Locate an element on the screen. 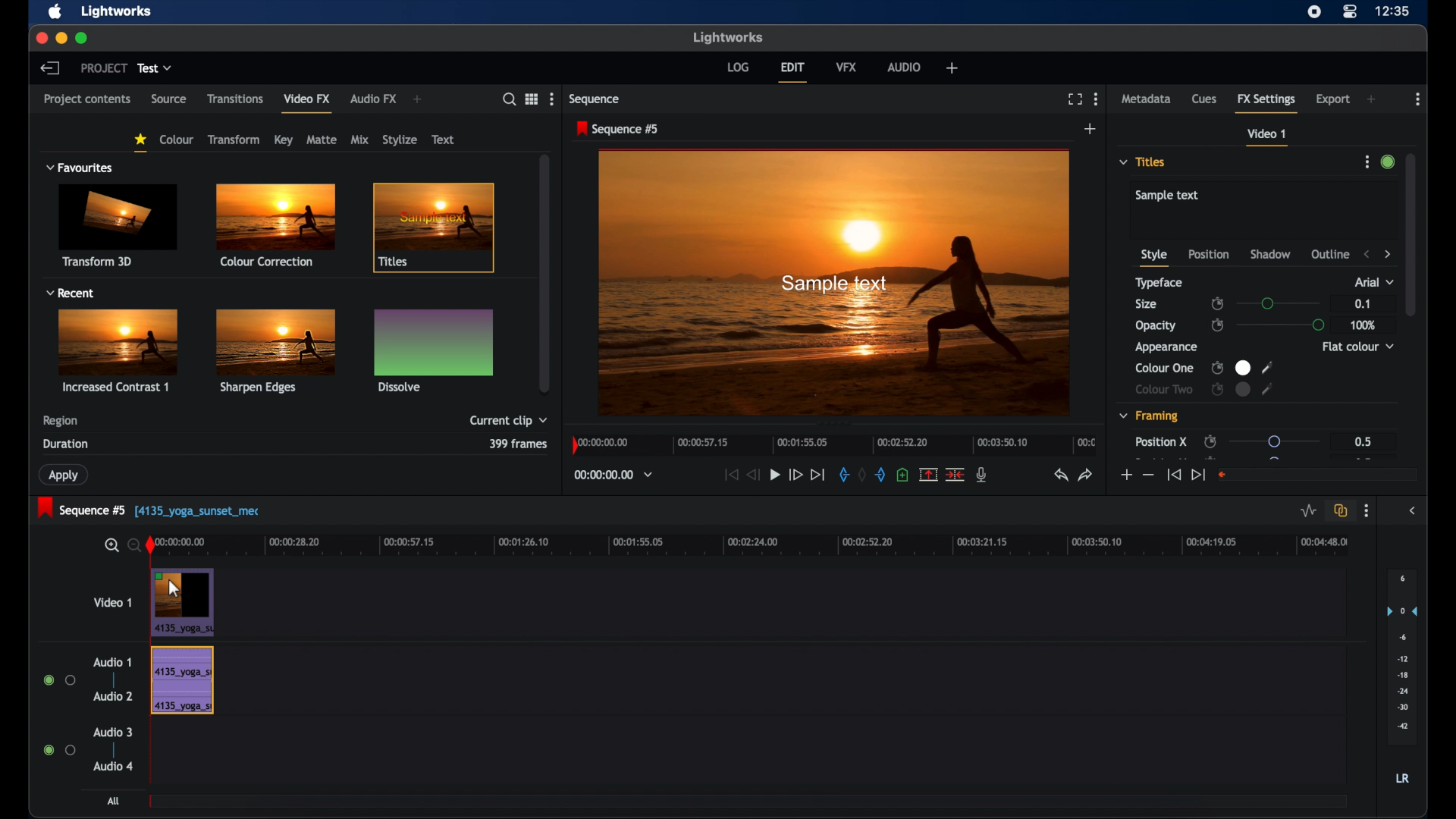 This screenshot has height=819, width=1456. sequence is located at coordinates (595, 99).